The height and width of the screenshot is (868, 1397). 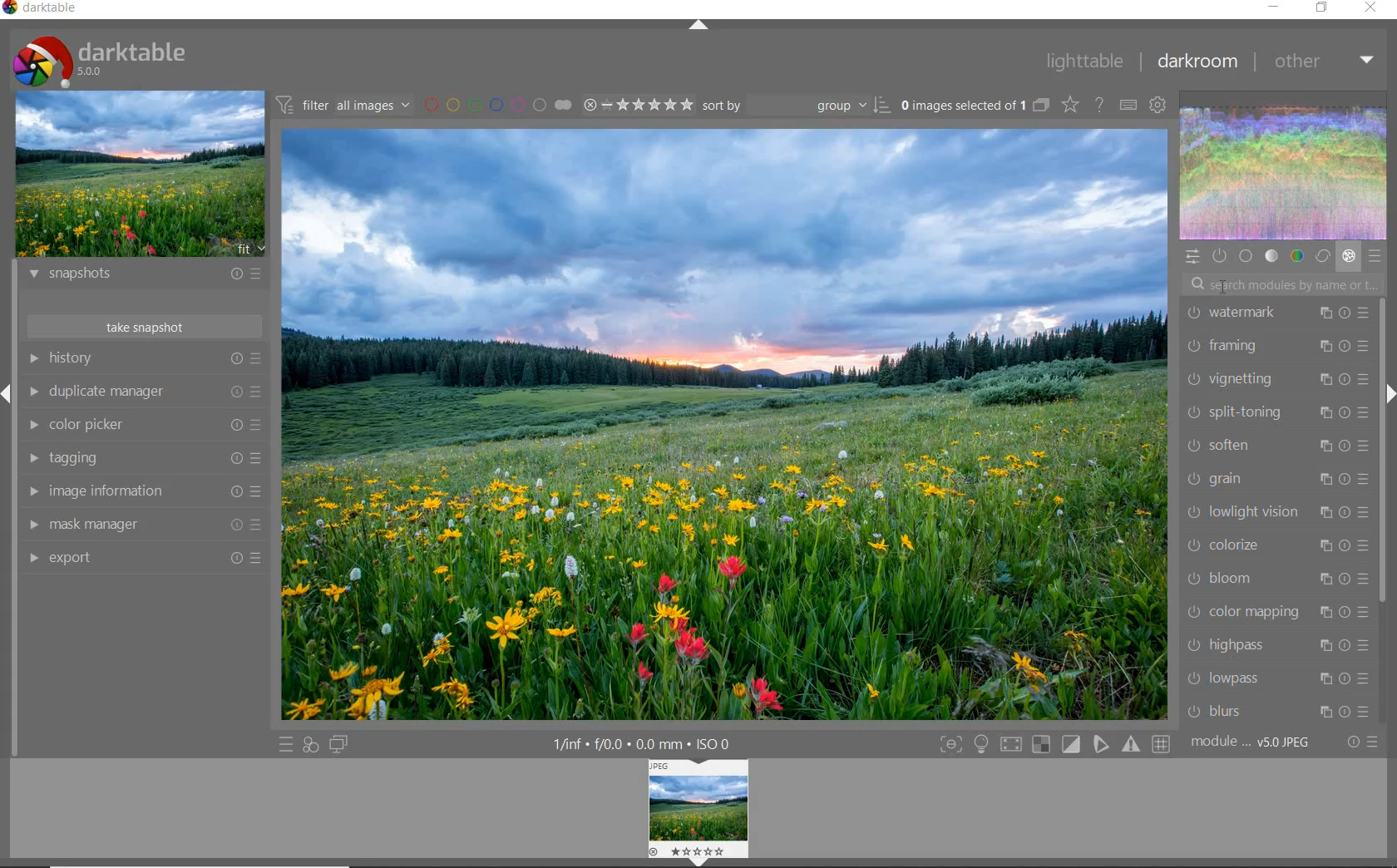 I want to click on blurs, so click(x=1277, y=712).